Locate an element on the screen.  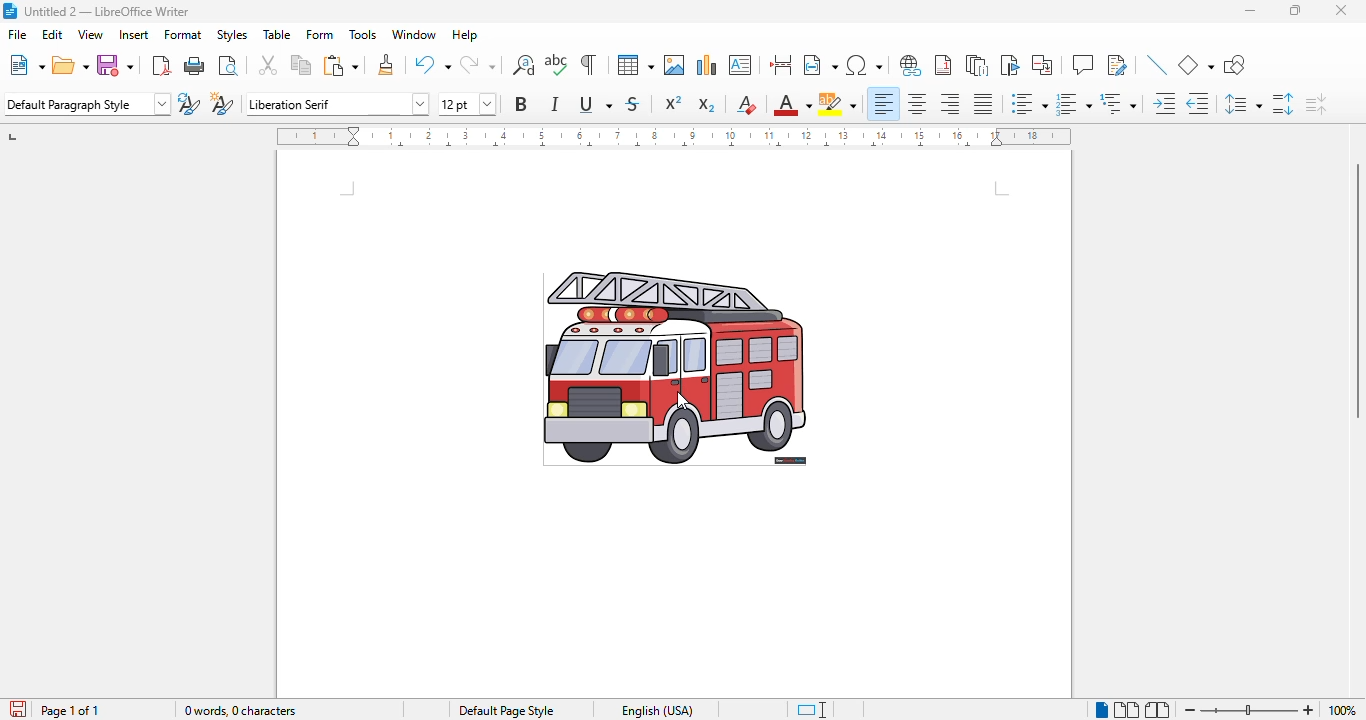
format is located at coordinates (184, 34).